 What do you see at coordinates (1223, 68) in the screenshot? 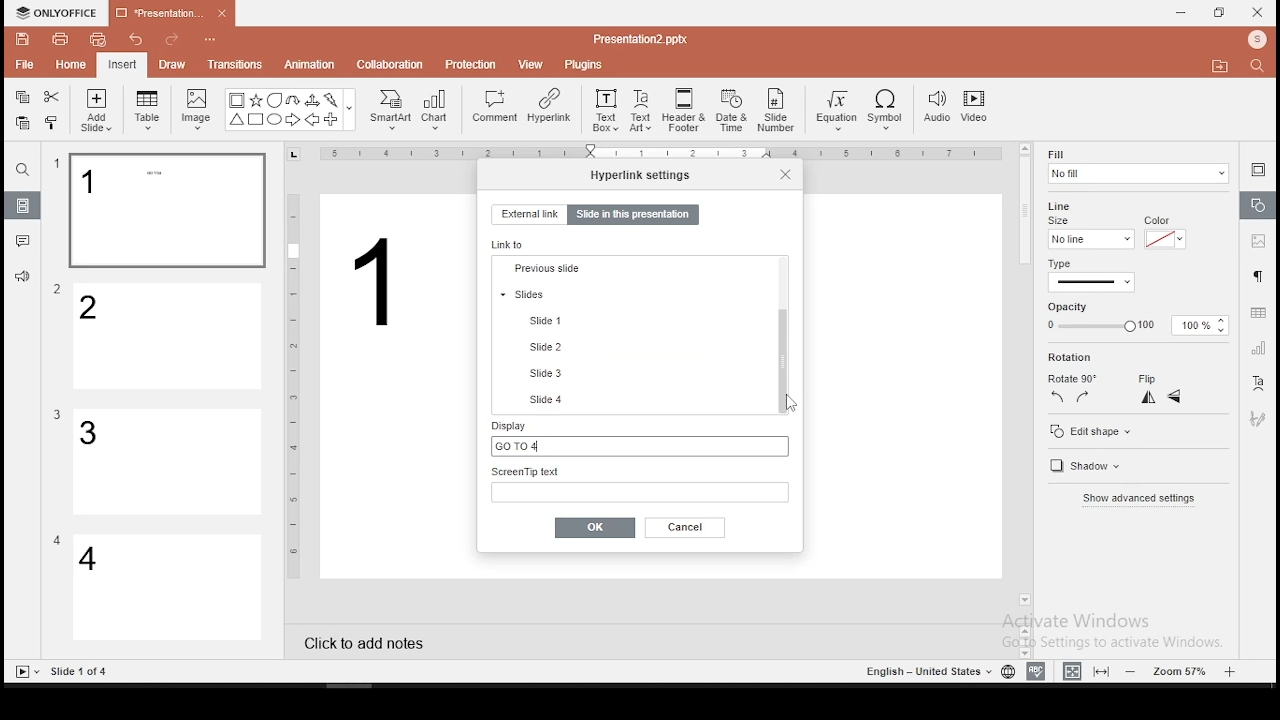
I see `Move to folder` at bounding box center [1223, 68].